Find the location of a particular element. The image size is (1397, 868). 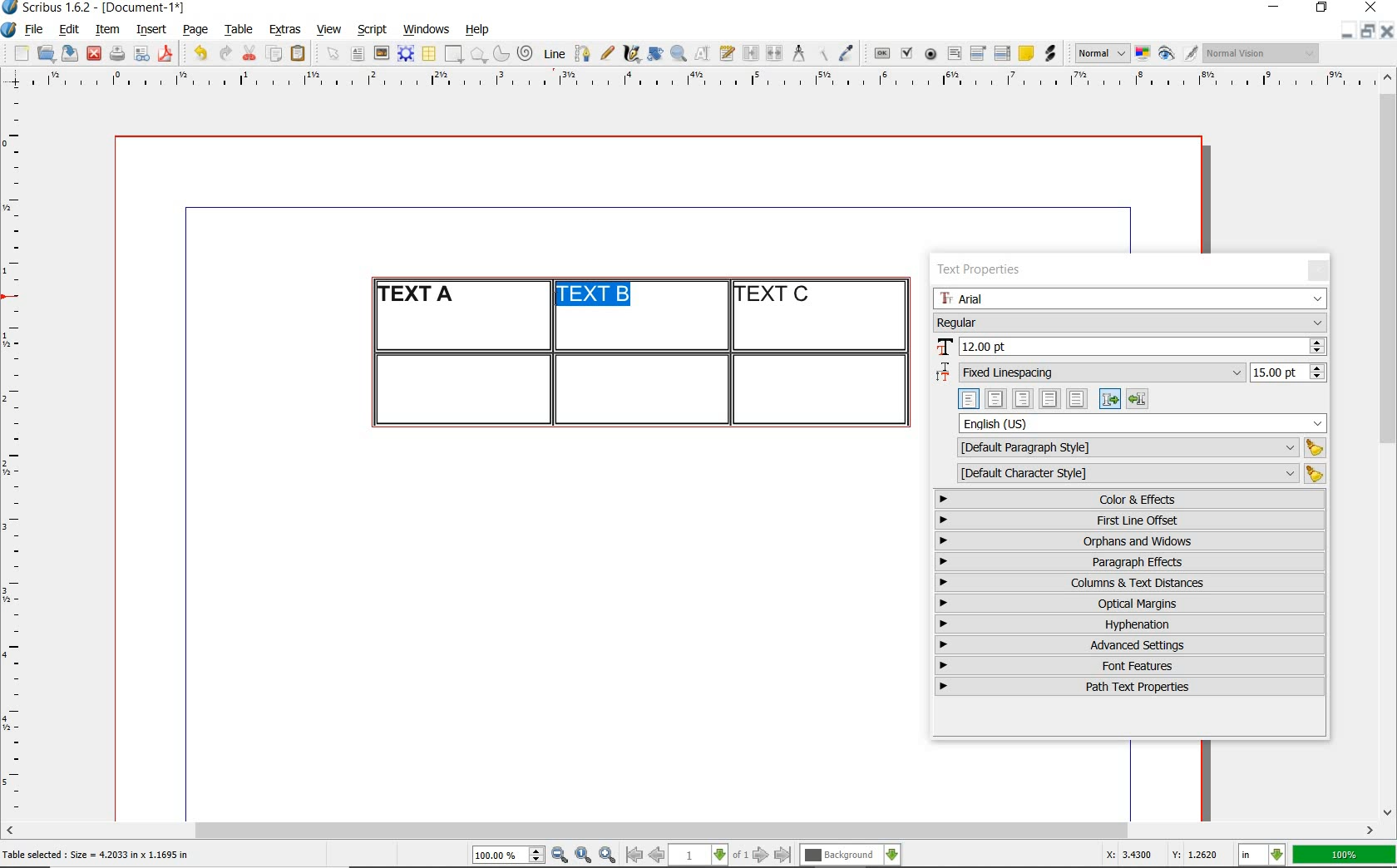

close is located at coordinates (1387, 31).